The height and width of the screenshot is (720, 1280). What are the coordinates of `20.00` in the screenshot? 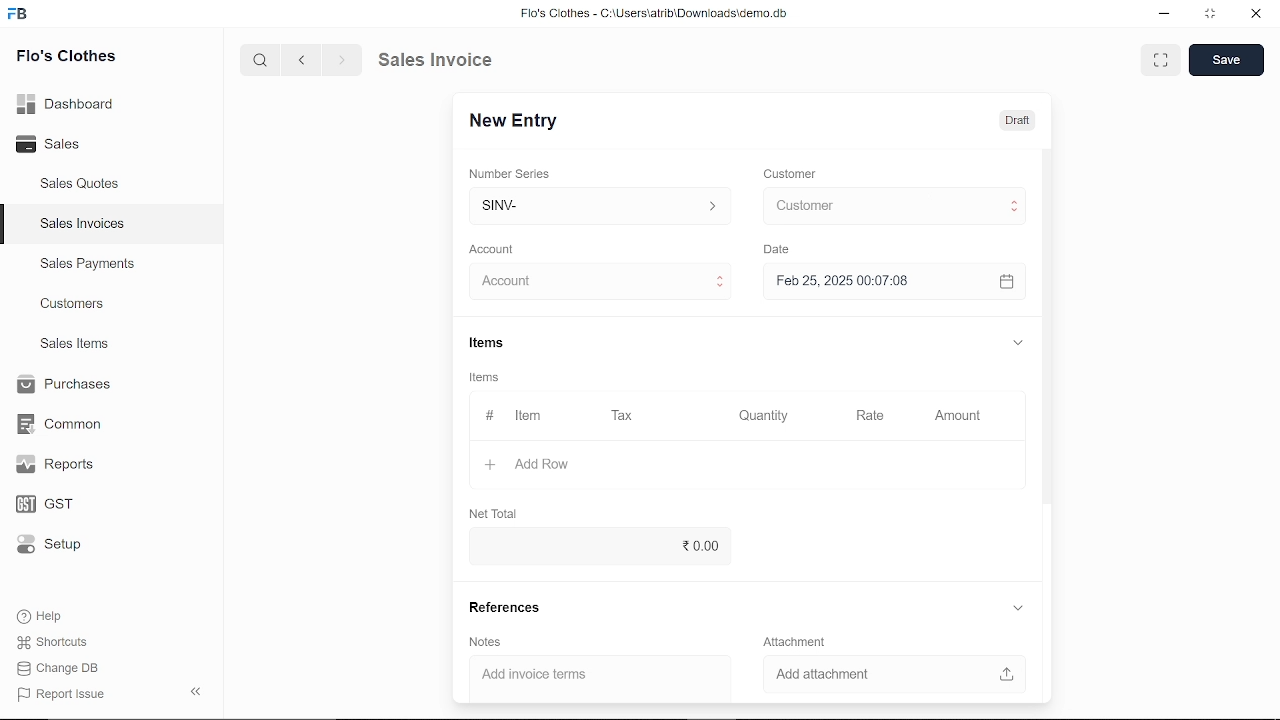 It's located at (639, 547).